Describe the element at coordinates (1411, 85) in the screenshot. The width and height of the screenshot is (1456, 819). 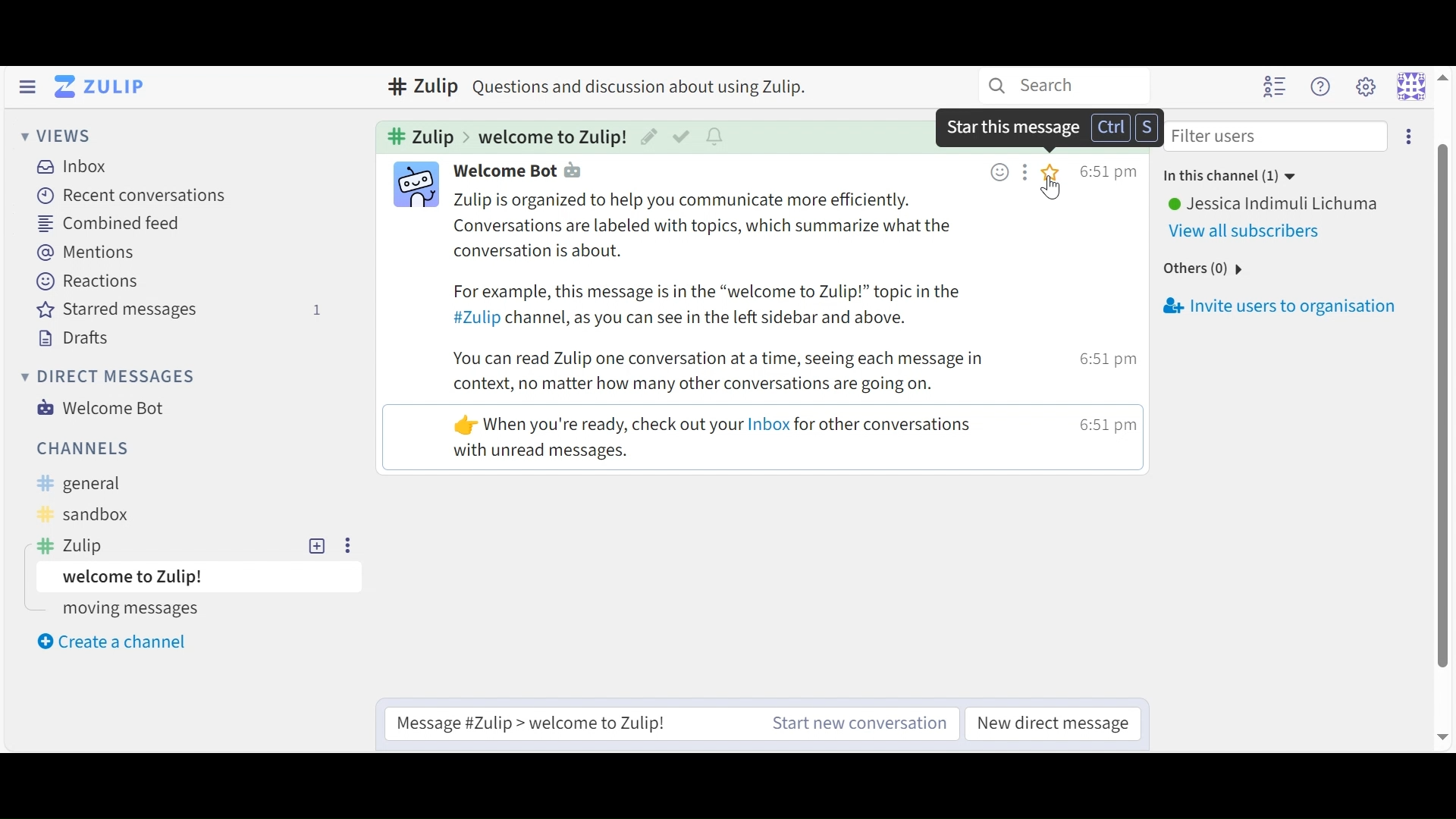
I see `Personal menu` at that location.